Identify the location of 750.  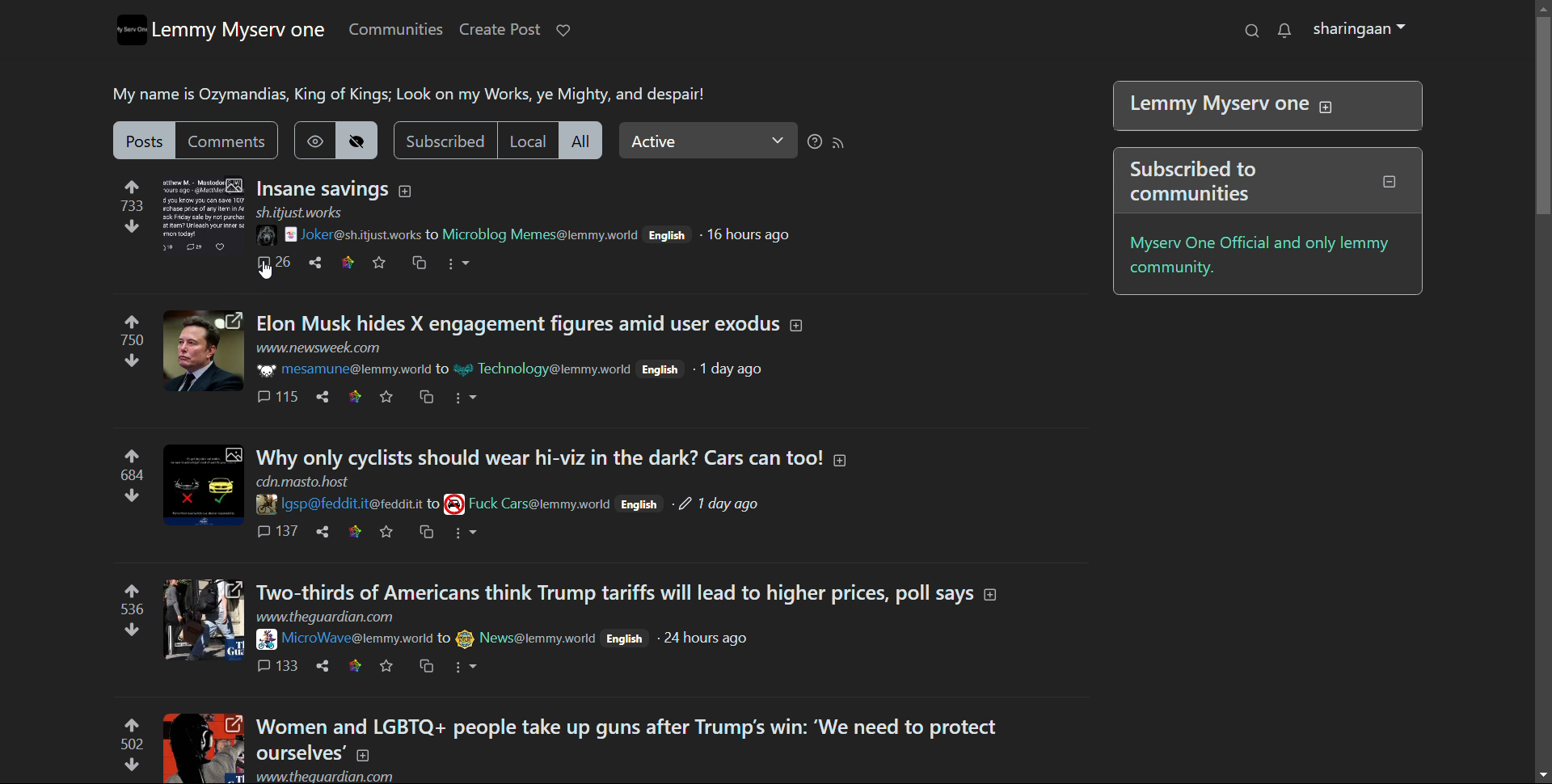
(131, 340).